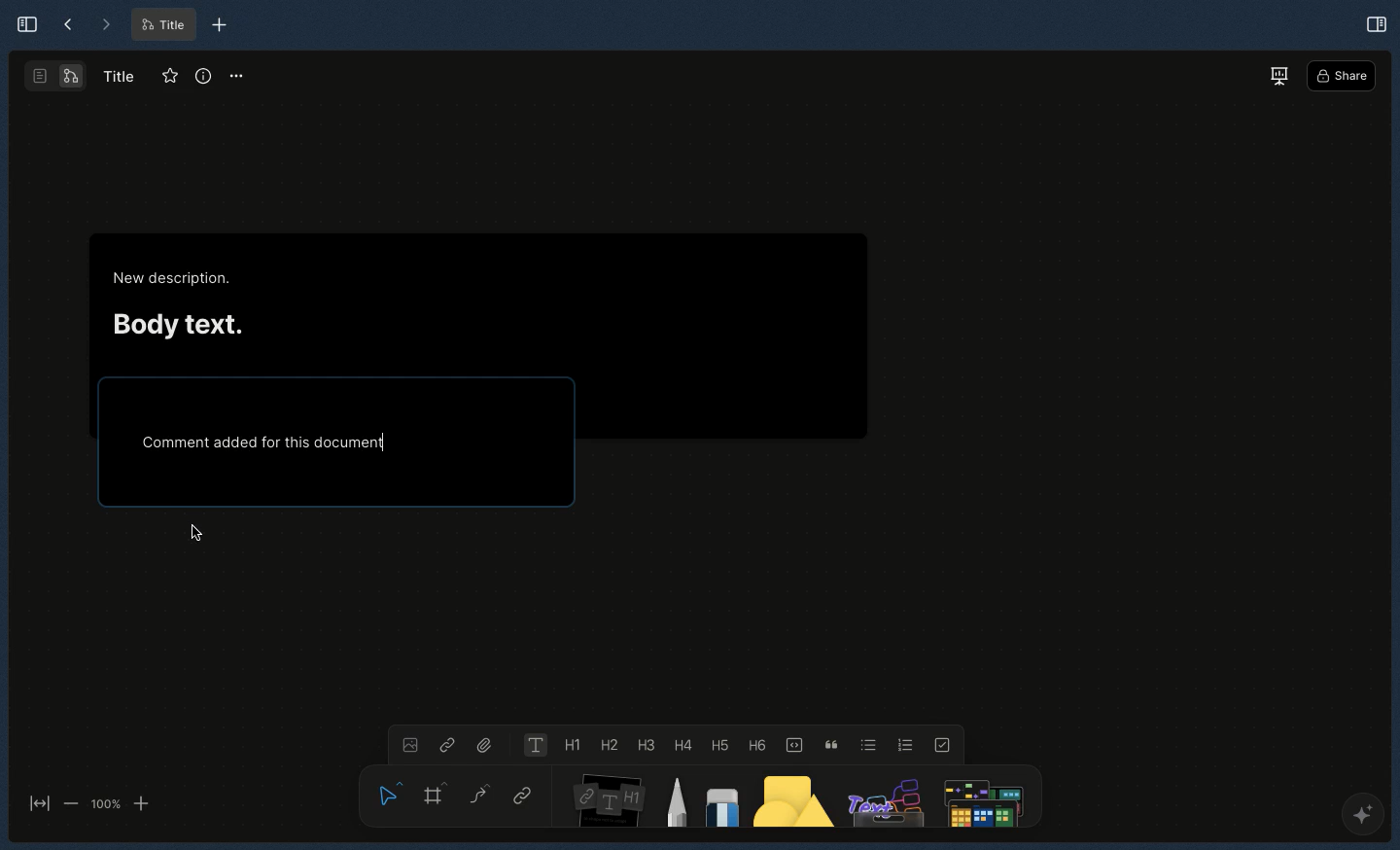 Image resolution: width=1400 pixels, height=850 pixels. What do you see at coordinates (794, 800) in the screenshot?
I see `Shape` at bounding box center [794, 800].